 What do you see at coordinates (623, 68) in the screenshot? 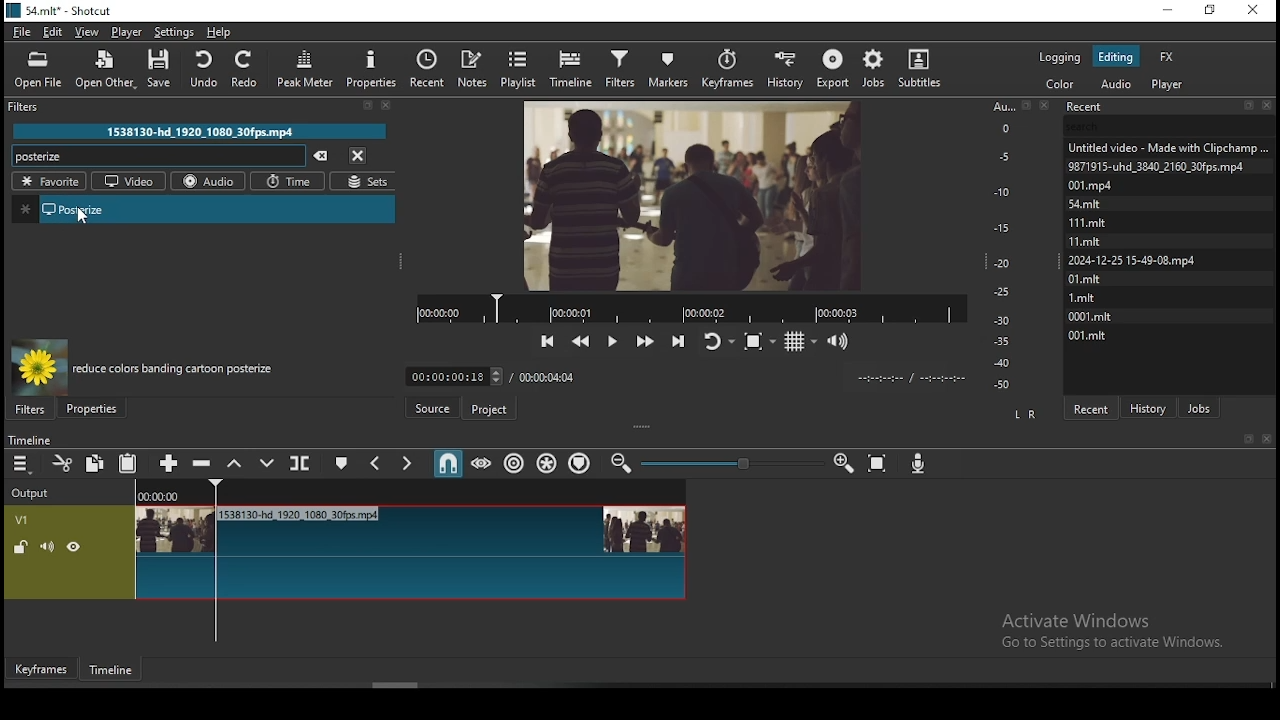
I see `filters` at bounding box center [623, 68].